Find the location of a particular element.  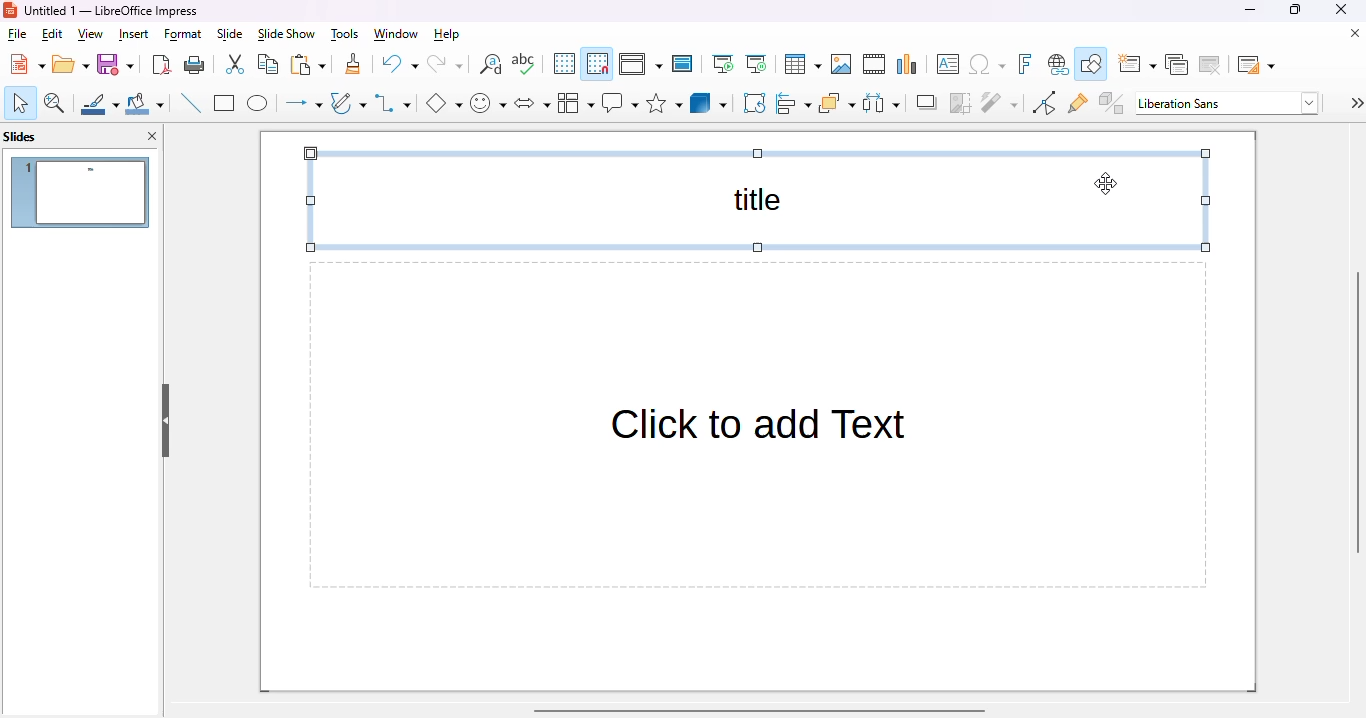

block arrows is located at coordinates (532, 104).